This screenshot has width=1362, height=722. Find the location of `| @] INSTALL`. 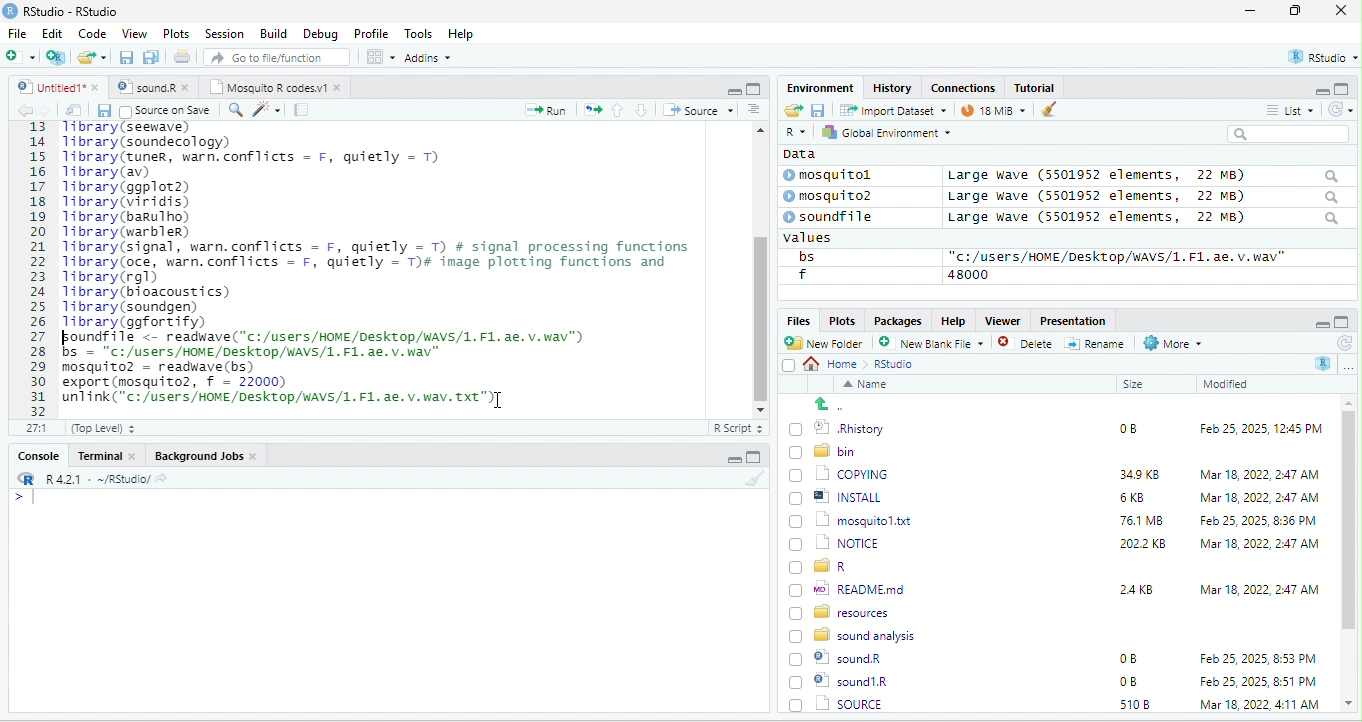

| @] INSTALL is located at coordinates (839, 496).